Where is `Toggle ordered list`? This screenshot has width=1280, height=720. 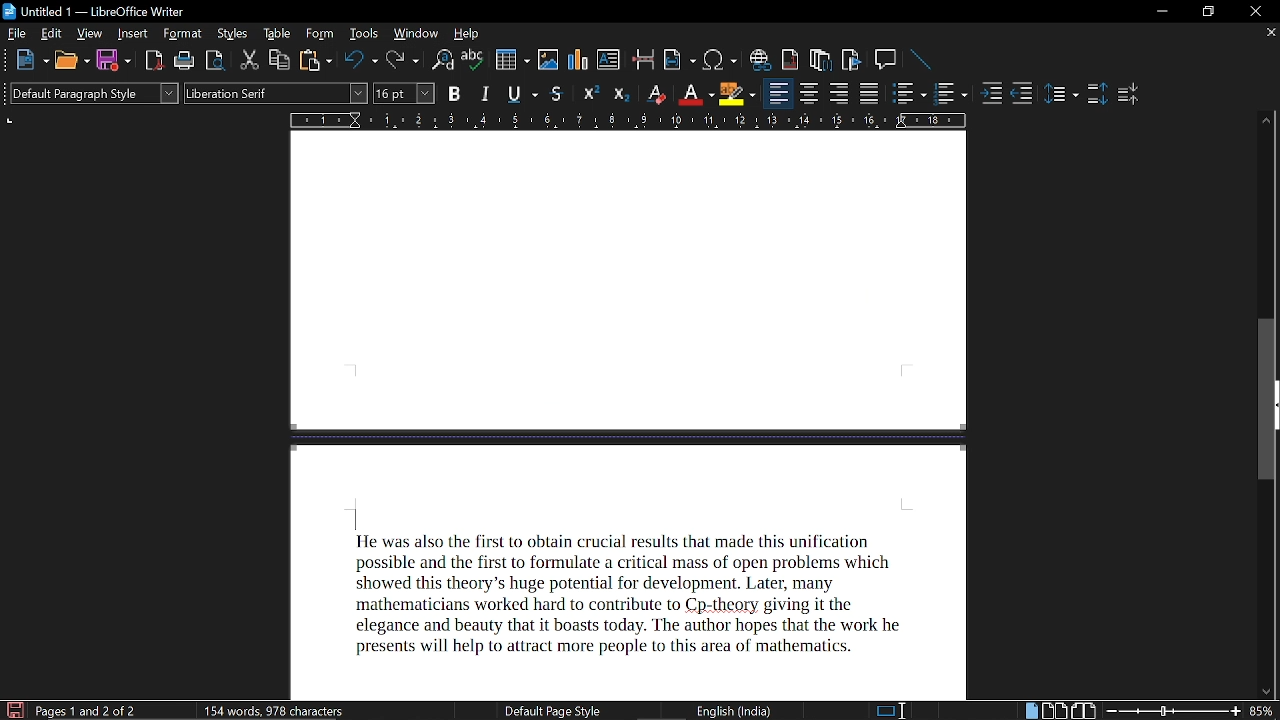
Toggle ordered list is located at coordinates (909, 95).